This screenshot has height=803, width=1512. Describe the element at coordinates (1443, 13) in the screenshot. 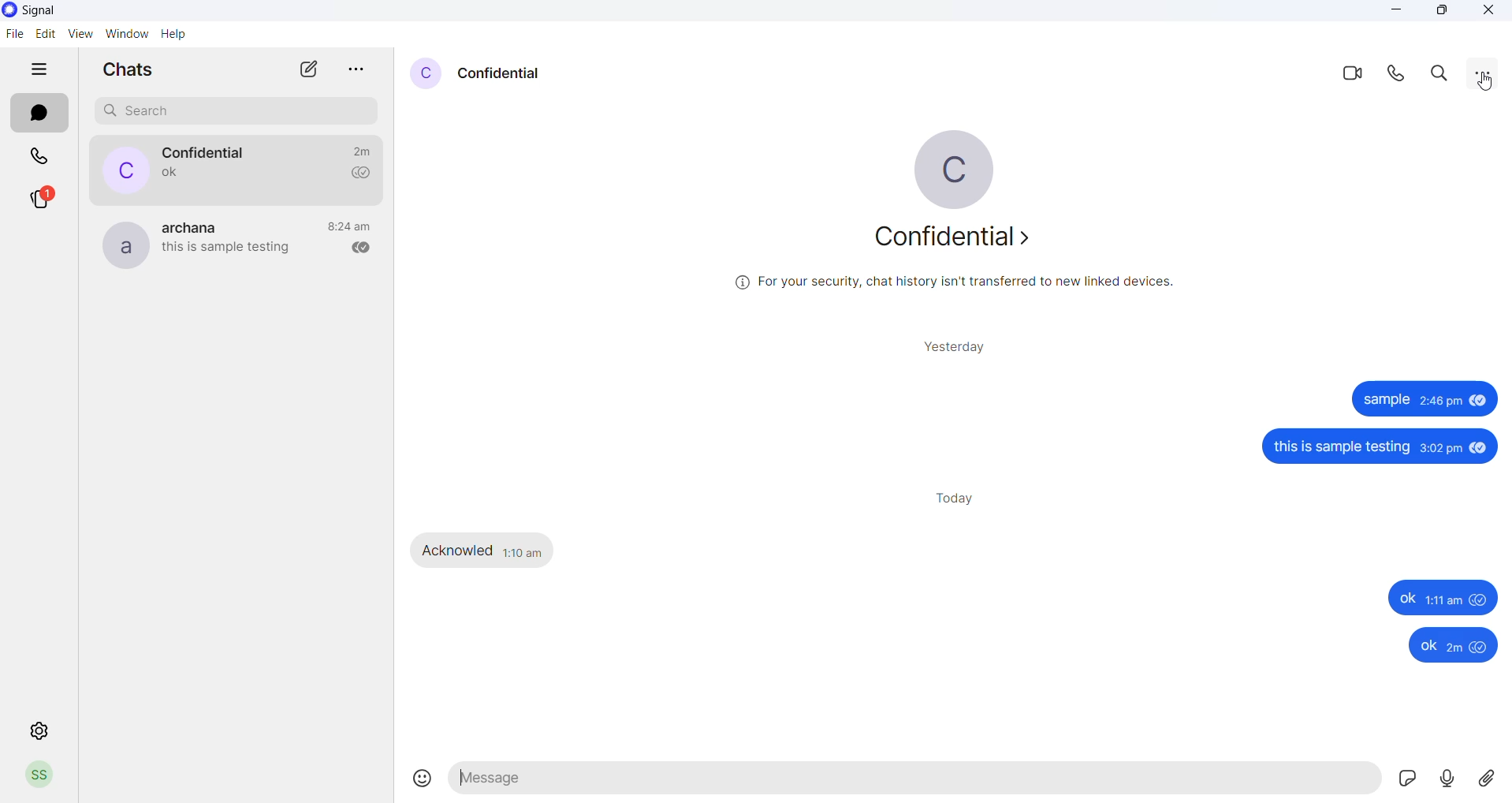

I see `maximize` at that location.